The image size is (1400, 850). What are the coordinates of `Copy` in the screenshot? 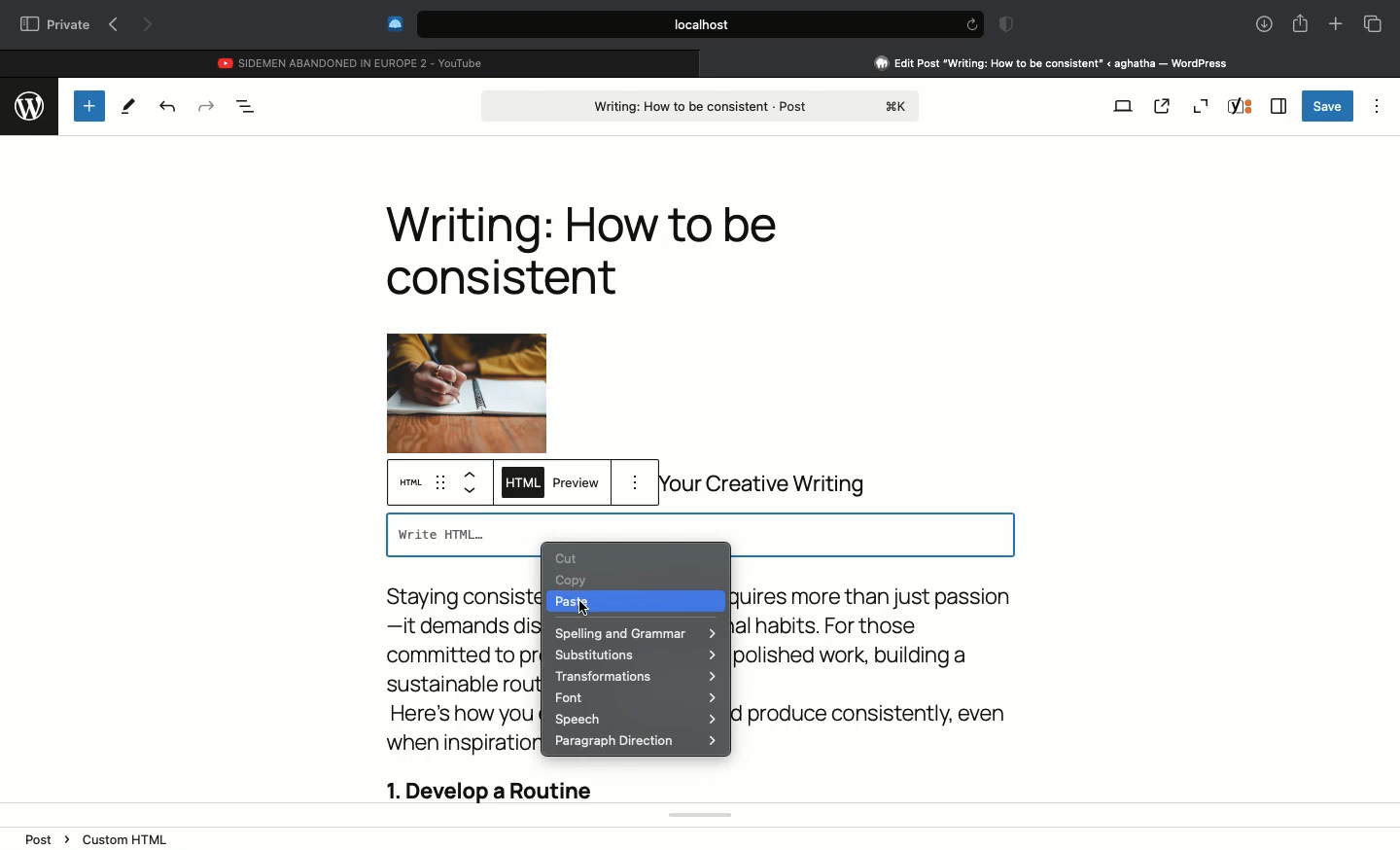 It's located at (575, 582).